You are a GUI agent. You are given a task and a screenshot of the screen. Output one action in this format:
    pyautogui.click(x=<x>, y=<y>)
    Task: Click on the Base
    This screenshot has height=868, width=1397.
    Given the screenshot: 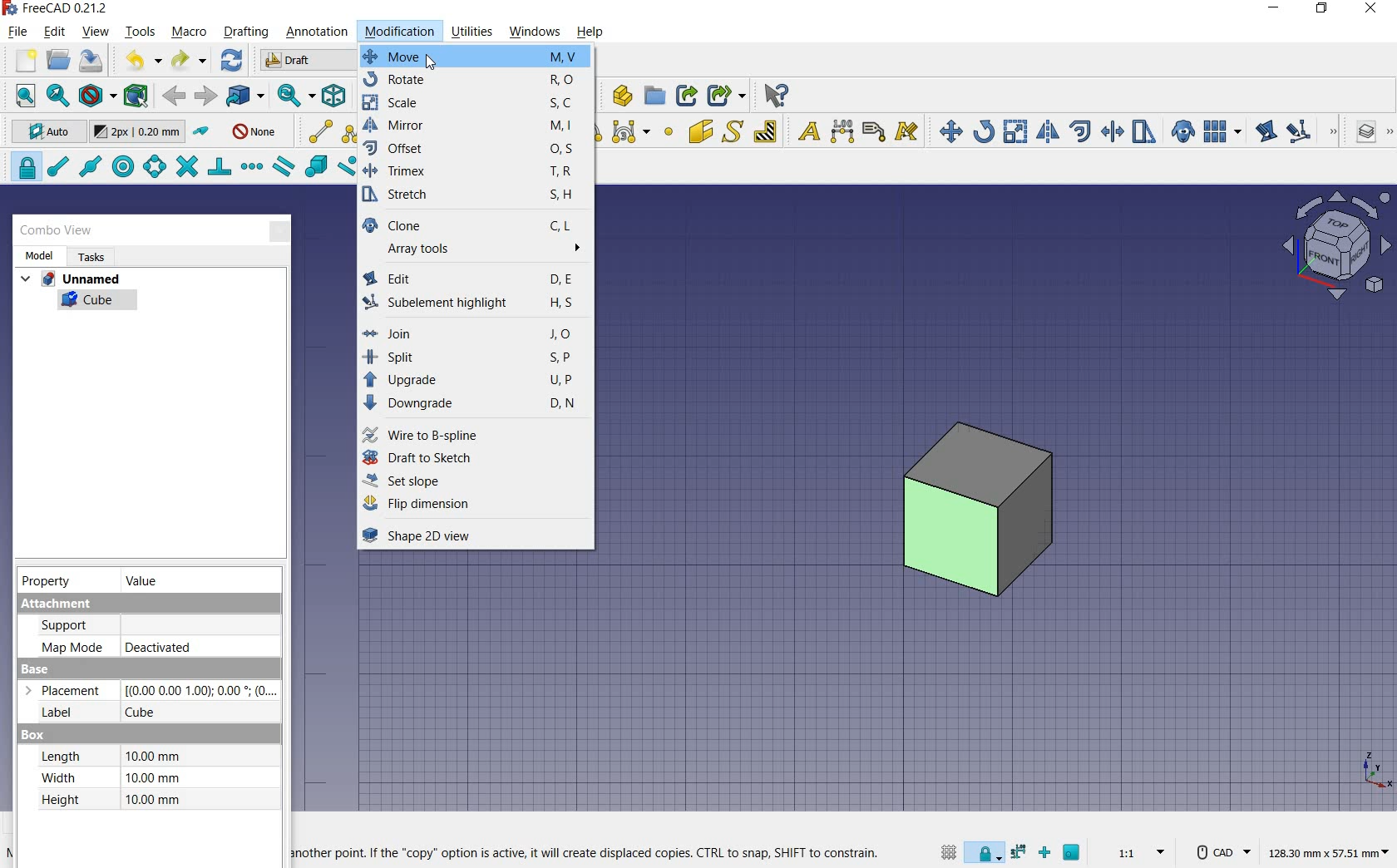 What is the action you would take?
    pyautogui.click(x=37, y=669)
    